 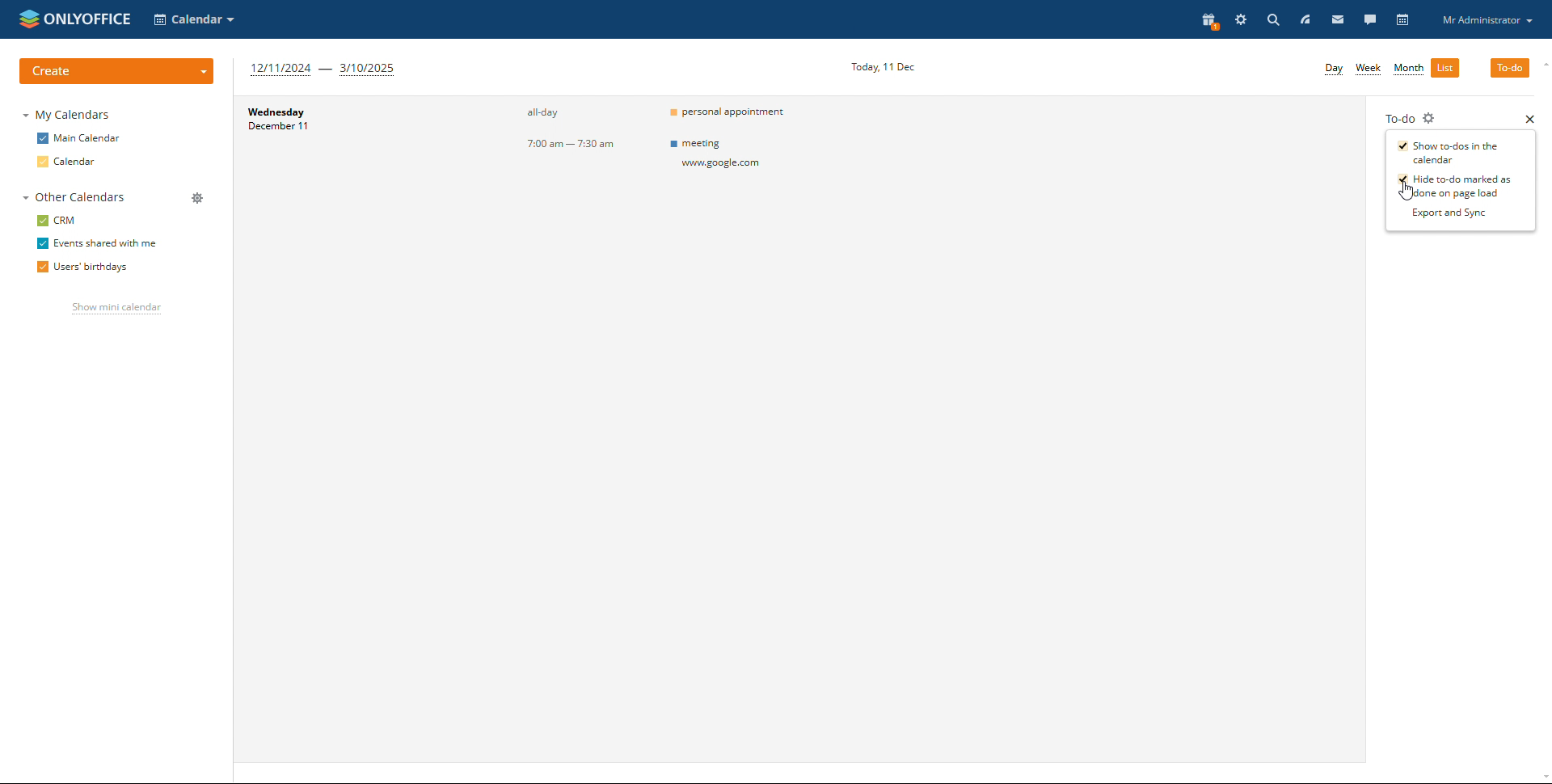 I want to click on next 3 months, so click(x=325, y=70).